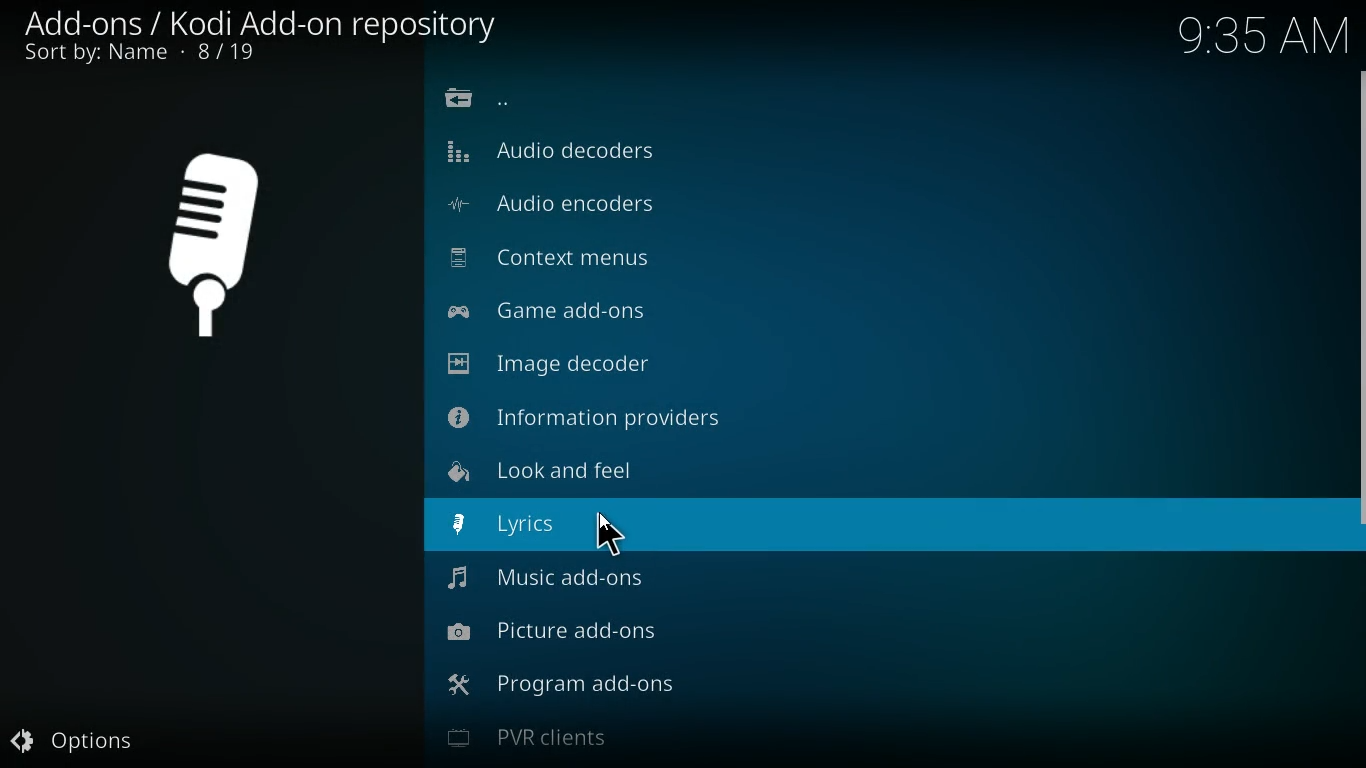 The height and width of the screenshot is (768, 1366). What do you see at coordinates (579, 364) in the screenshot?
I see `image decoder` at bounding box center [579, 364].